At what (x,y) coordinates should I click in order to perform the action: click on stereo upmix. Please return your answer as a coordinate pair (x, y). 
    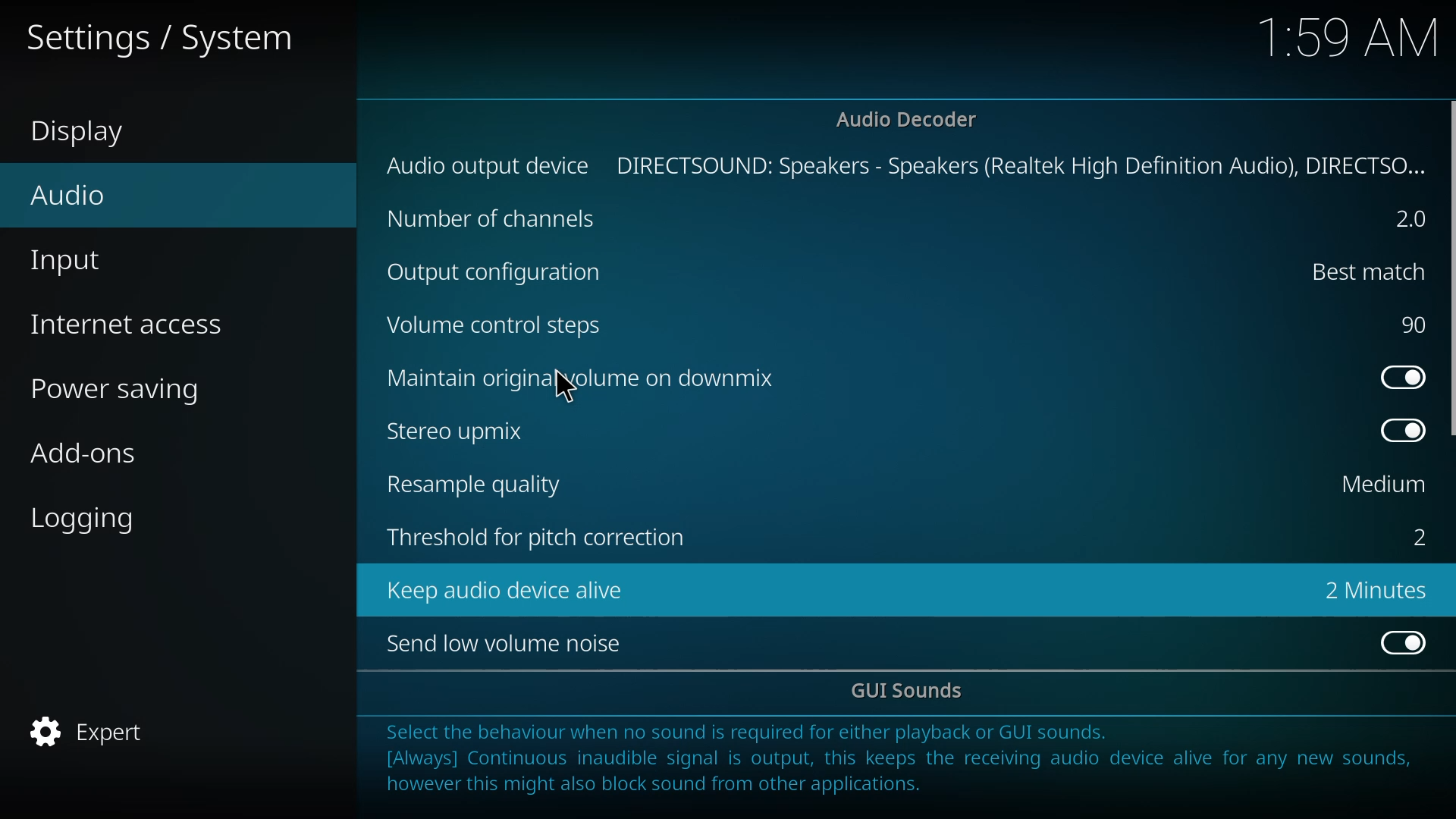
    Looking at the image, I should click on (465, 430).